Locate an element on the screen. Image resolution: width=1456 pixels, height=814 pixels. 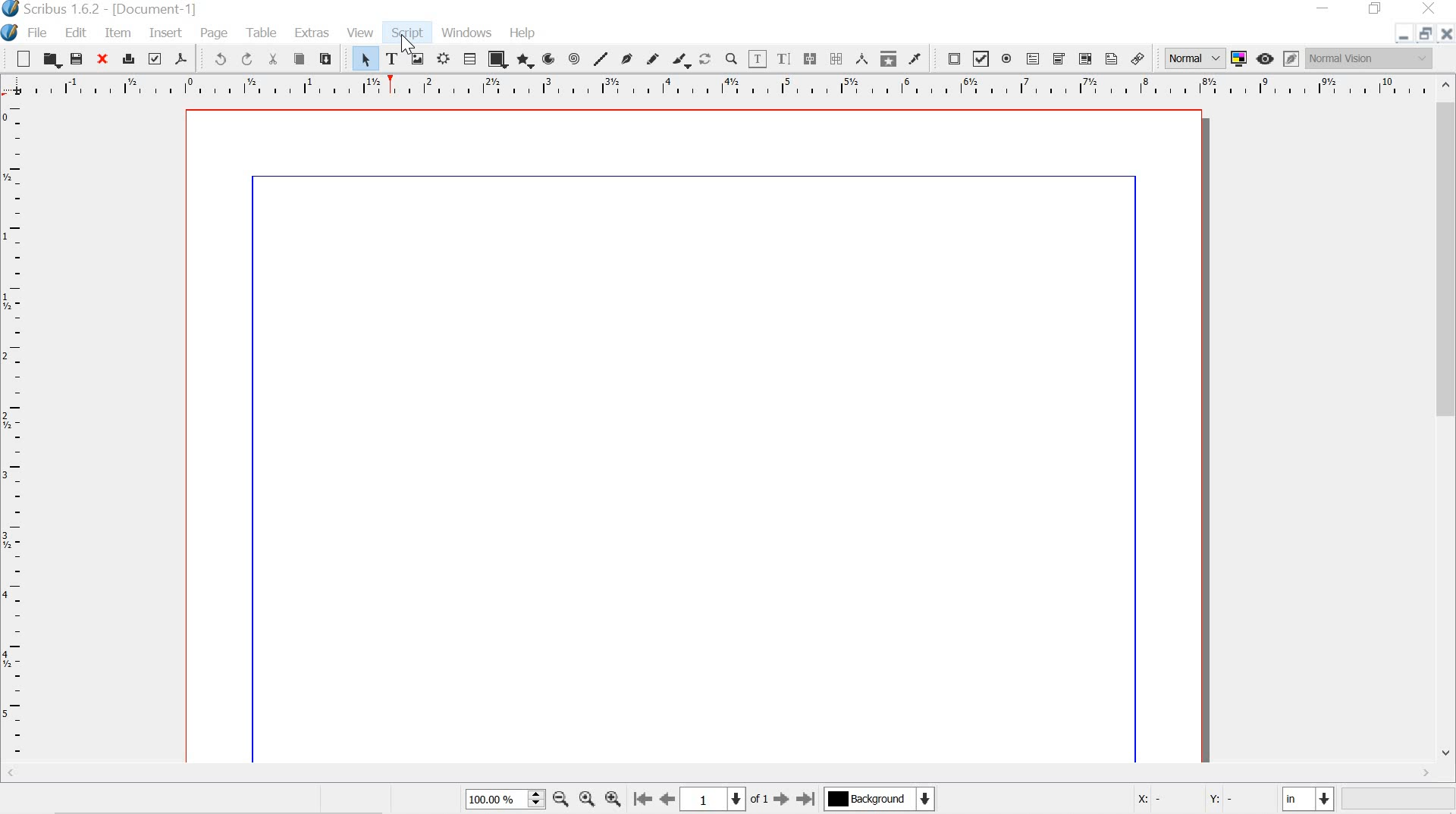
pdf combo box is located at coordinates (1059, 59).